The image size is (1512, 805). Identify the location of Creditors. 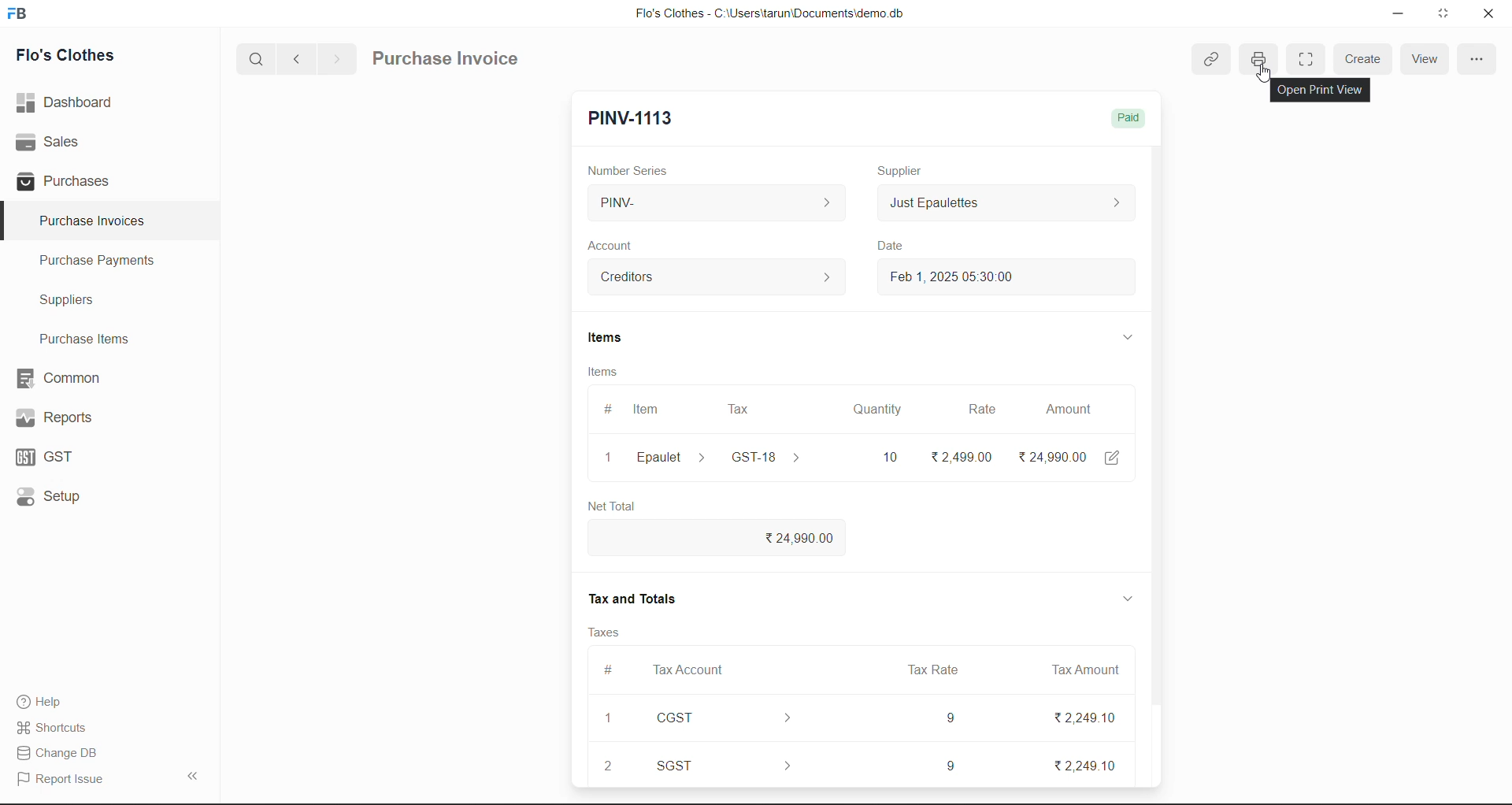
(714, 279).